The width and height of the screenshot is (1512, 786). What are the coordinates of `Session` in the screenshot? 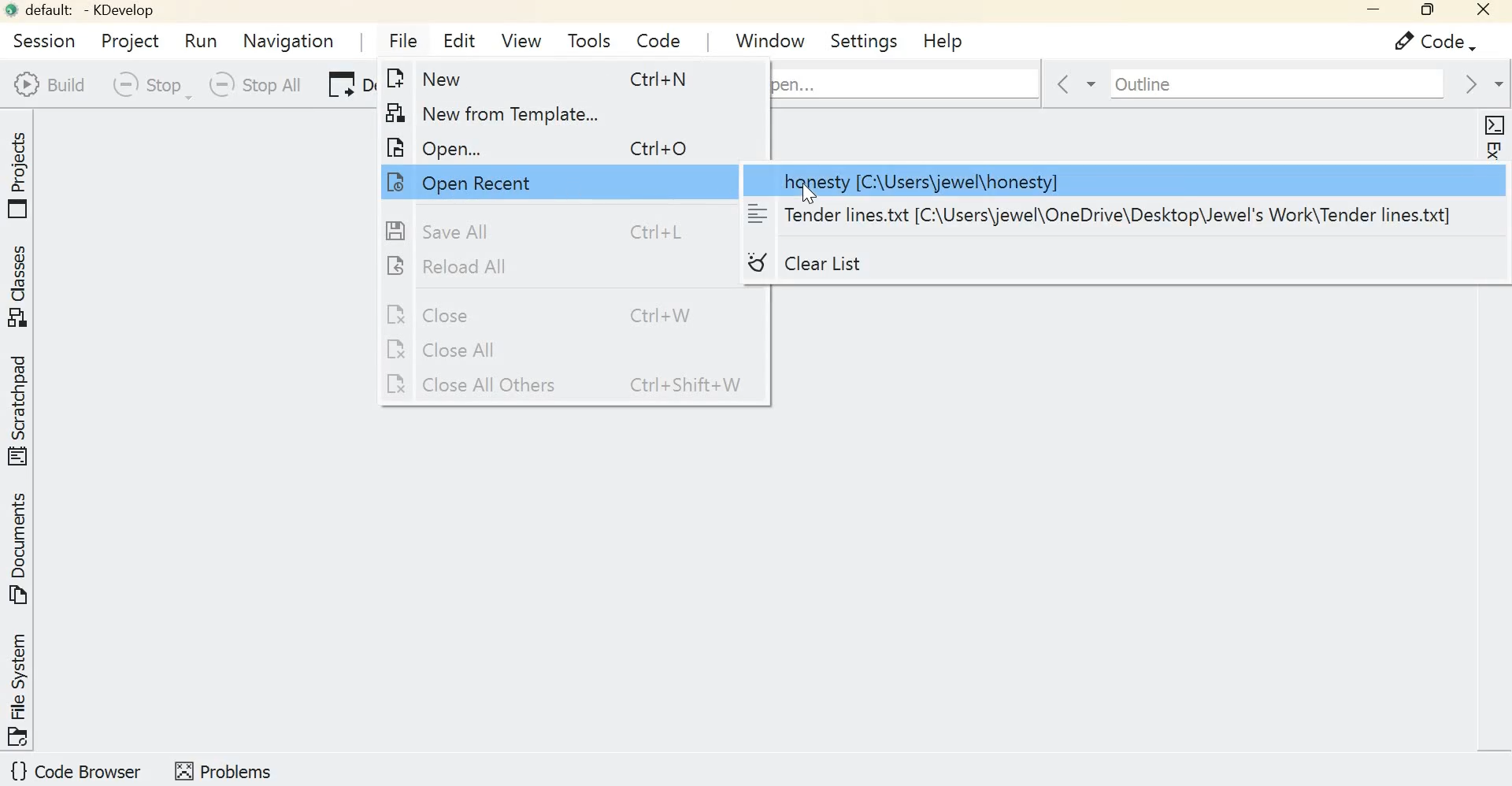 It's located at (40, 39).